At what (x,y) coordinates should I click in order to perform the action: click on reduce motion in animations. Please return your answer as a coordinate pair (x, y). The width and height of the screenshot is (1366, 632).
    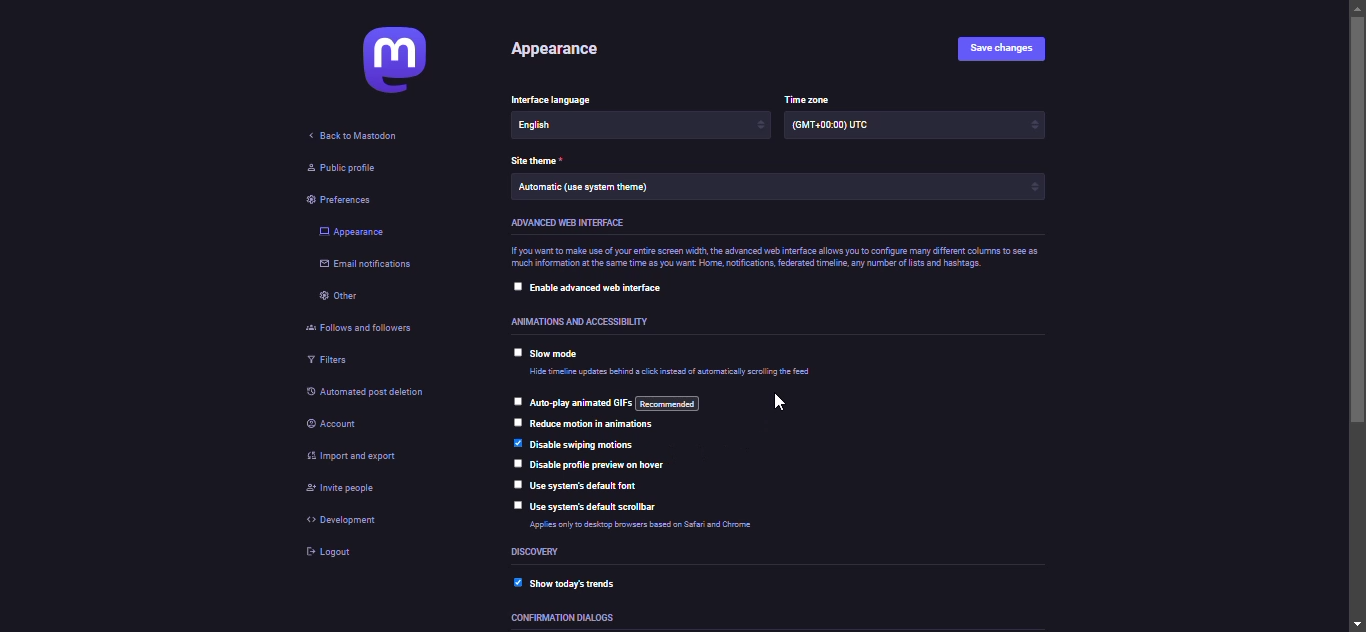
    Looking at the image, I should click on (593, 427).